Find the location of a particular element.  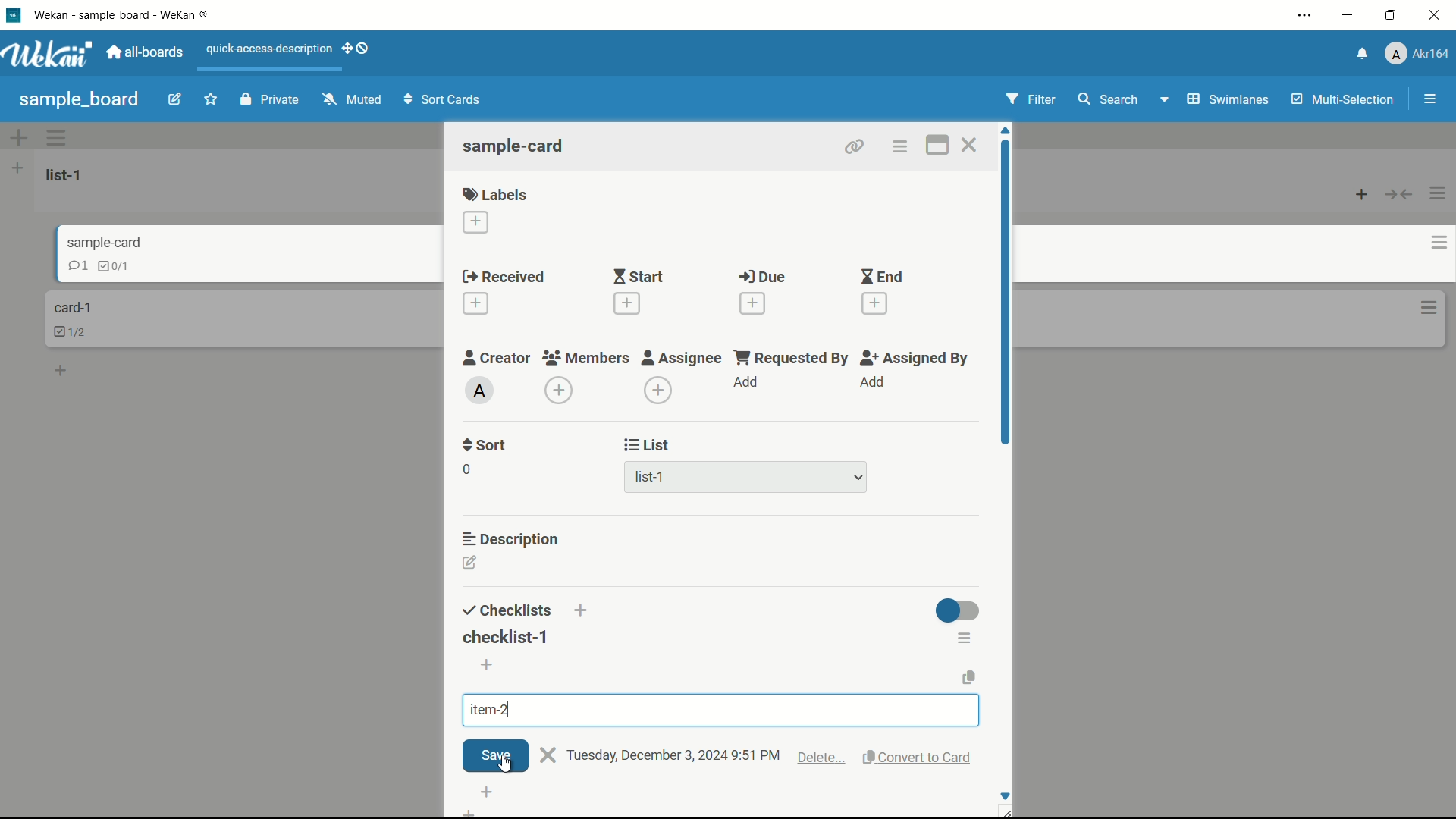

star is located at coordinates (210, 99).